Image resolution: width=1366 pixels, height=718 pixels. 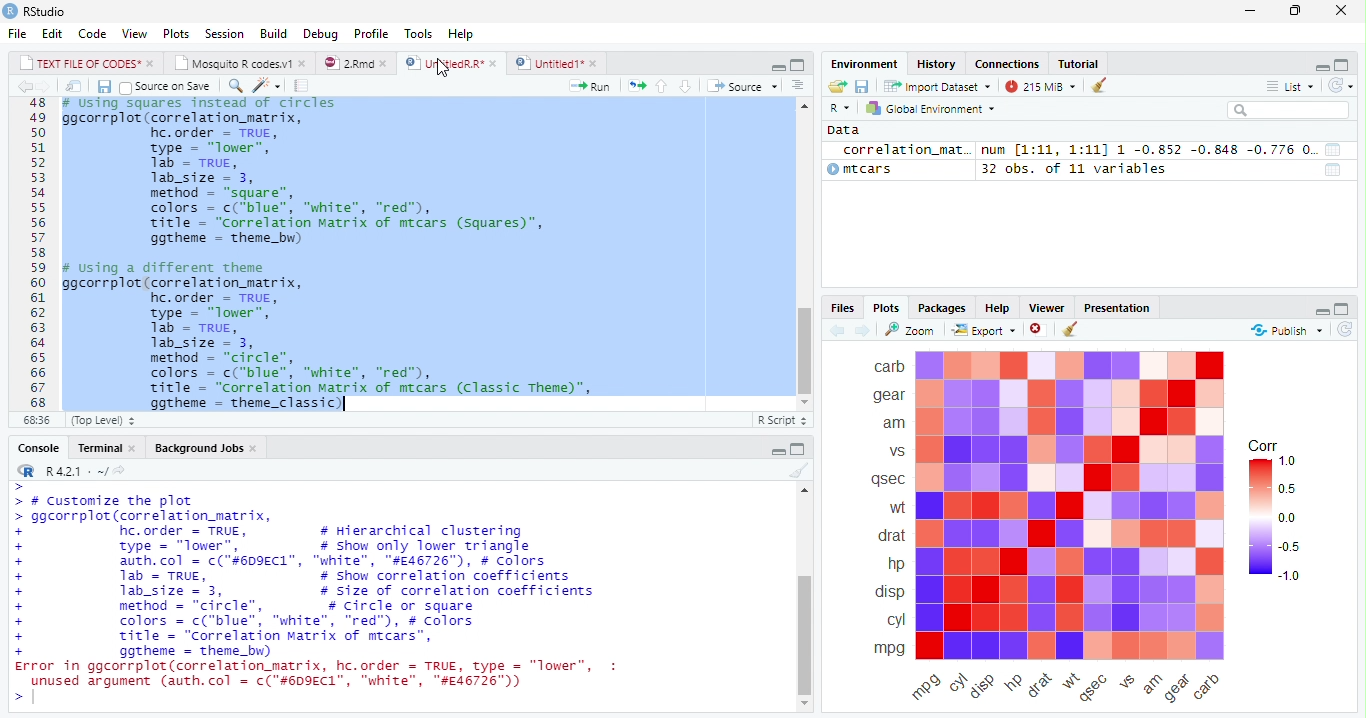 I want to click on Presentation, so click(x=1121, y=308).